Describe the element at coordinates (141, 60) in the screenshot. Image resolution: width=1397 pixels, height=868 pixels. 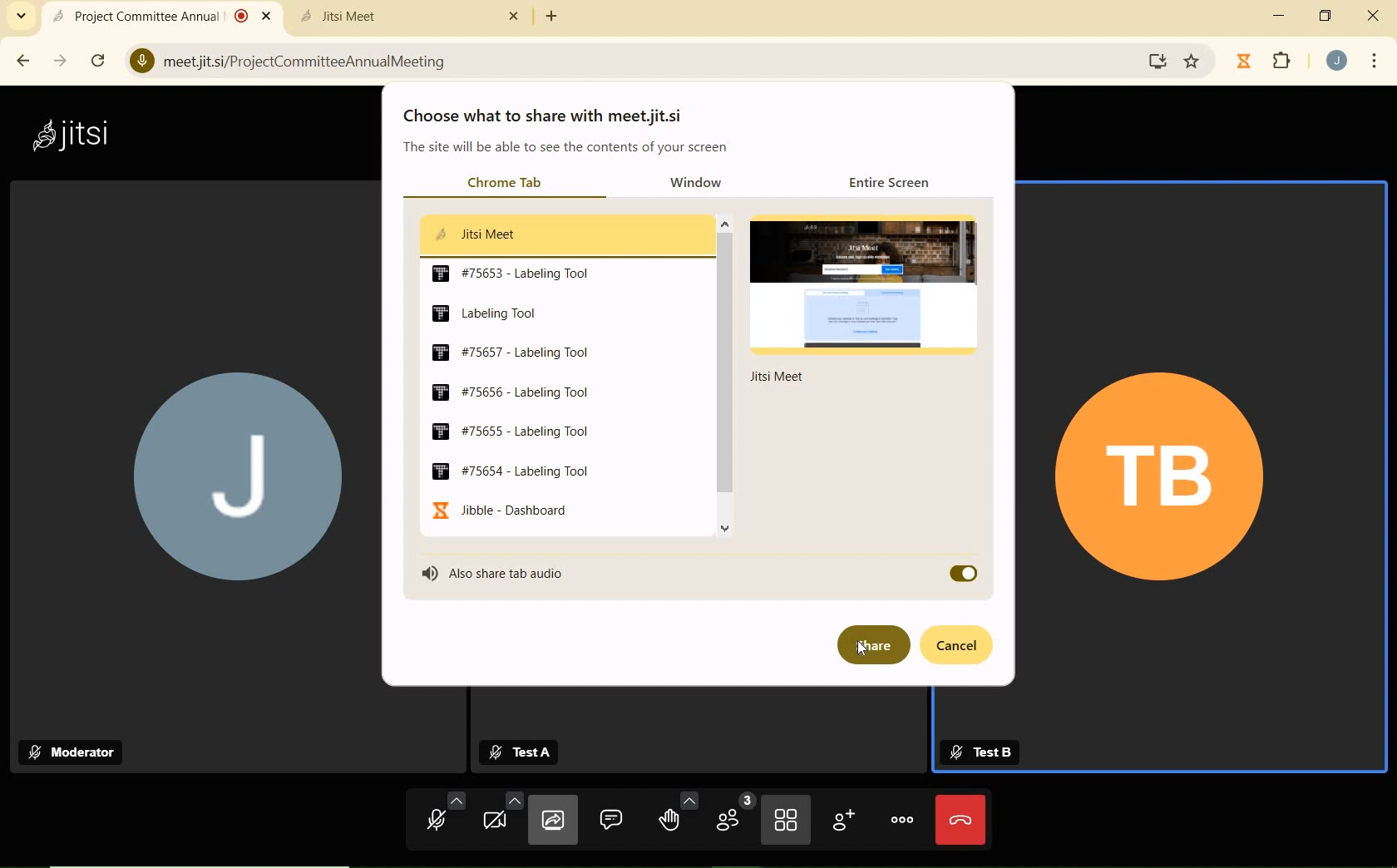
I see `View site information` at that location.